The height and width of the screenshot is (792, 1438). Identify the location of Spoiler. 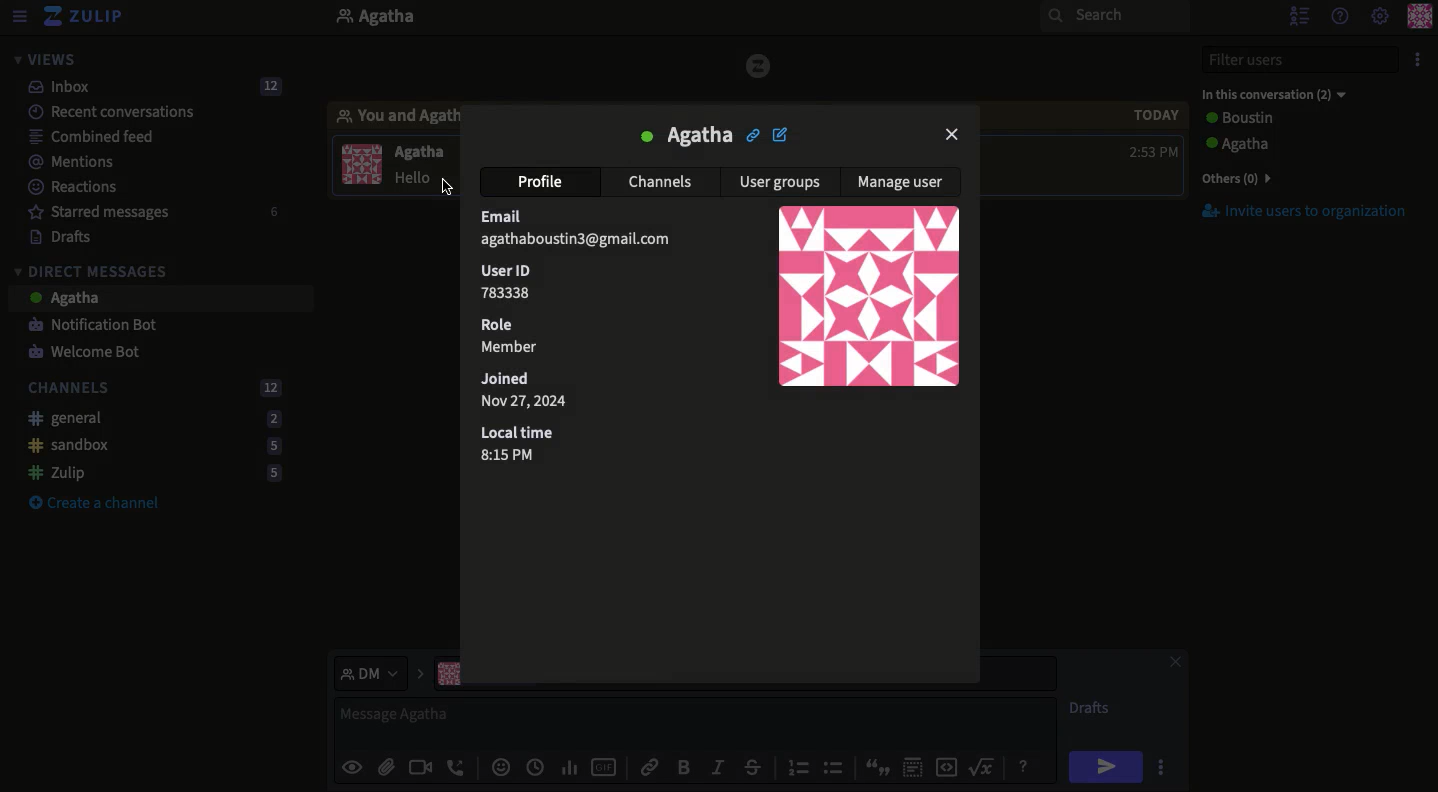
(916, 764).